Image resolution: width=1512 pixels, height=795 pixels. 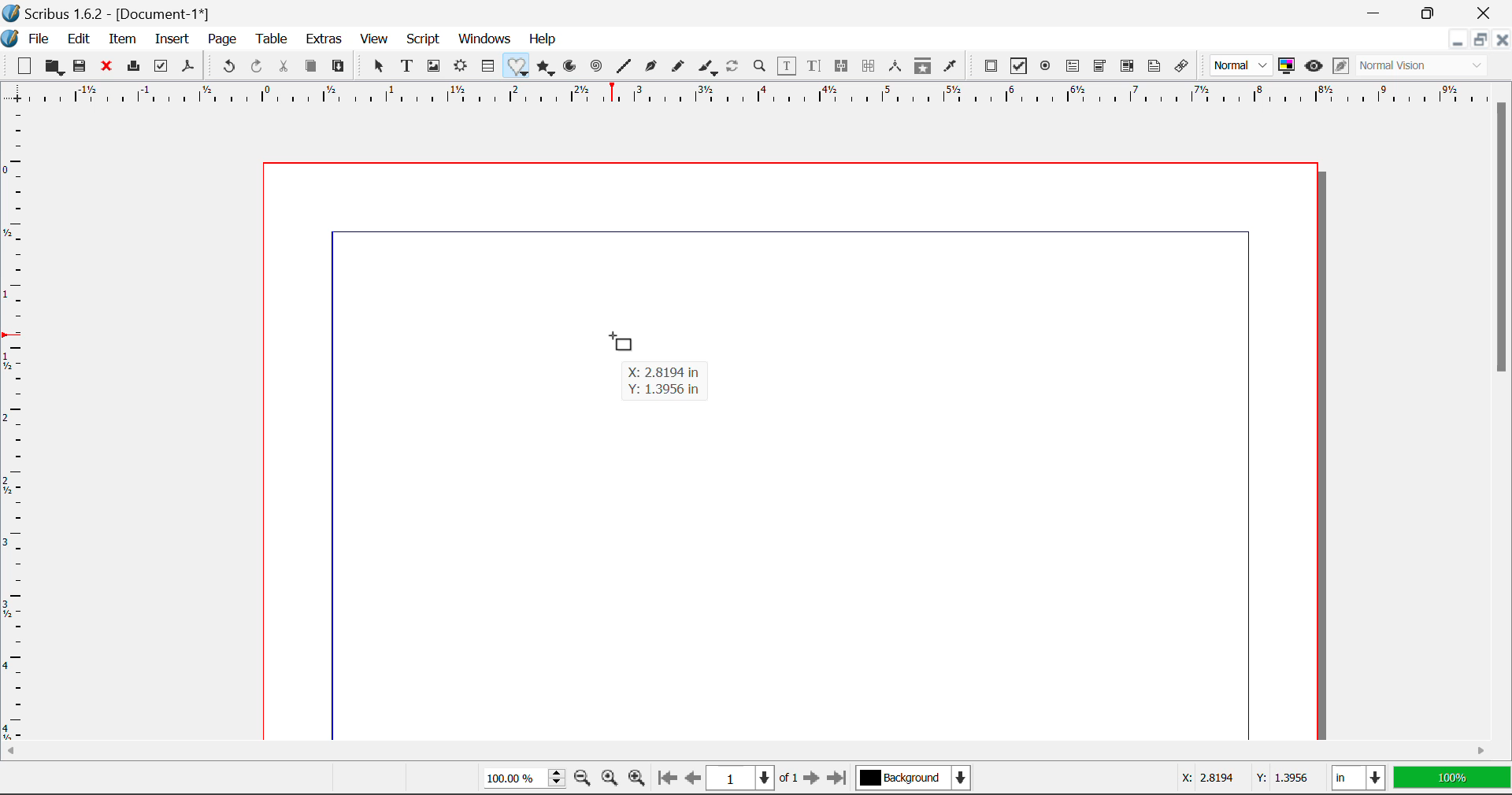 I want to click on Zoom, so click(x=762, y=68).